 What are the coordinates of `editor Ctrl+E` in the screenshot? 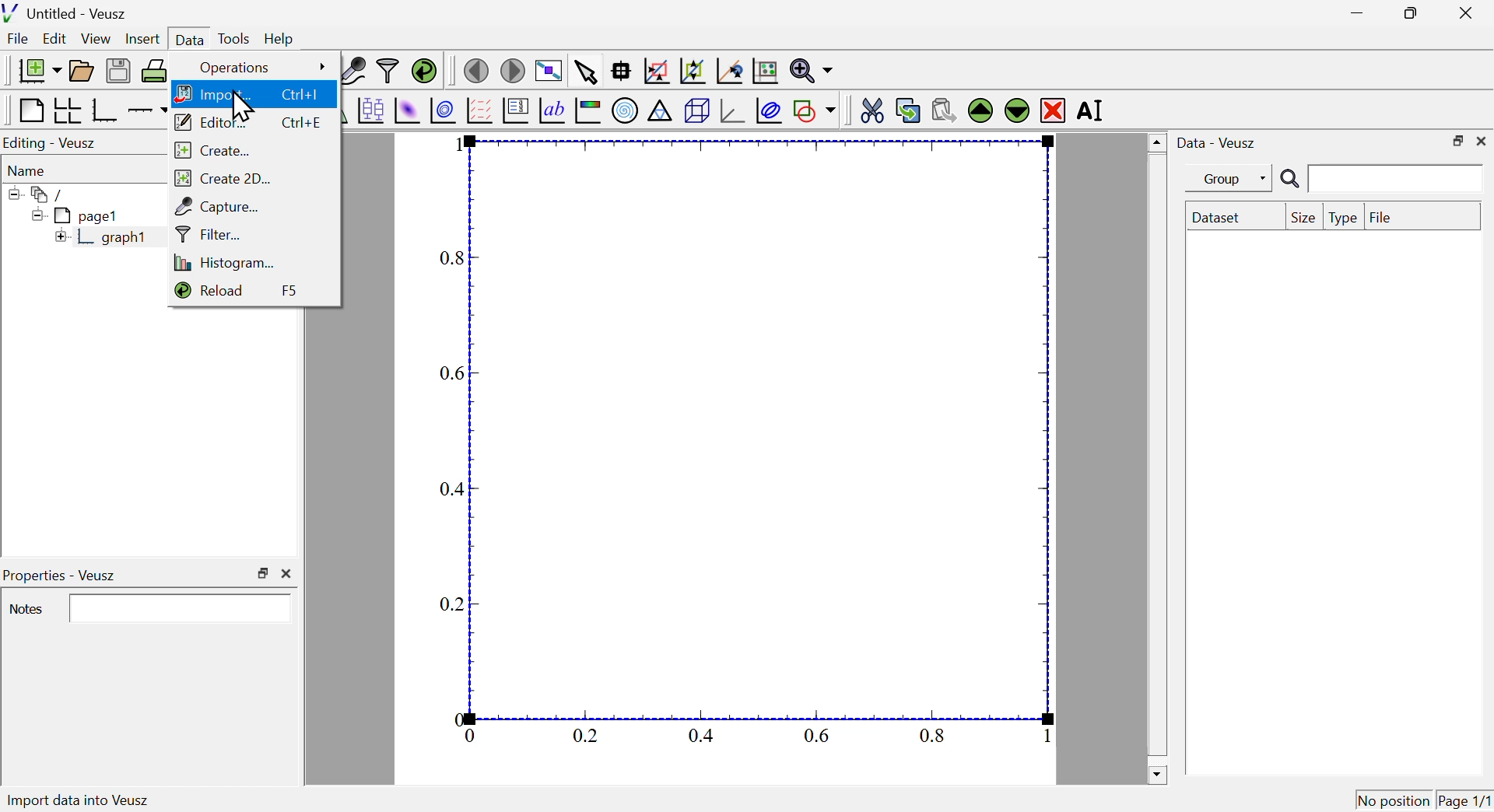 It's located at (251, 120).